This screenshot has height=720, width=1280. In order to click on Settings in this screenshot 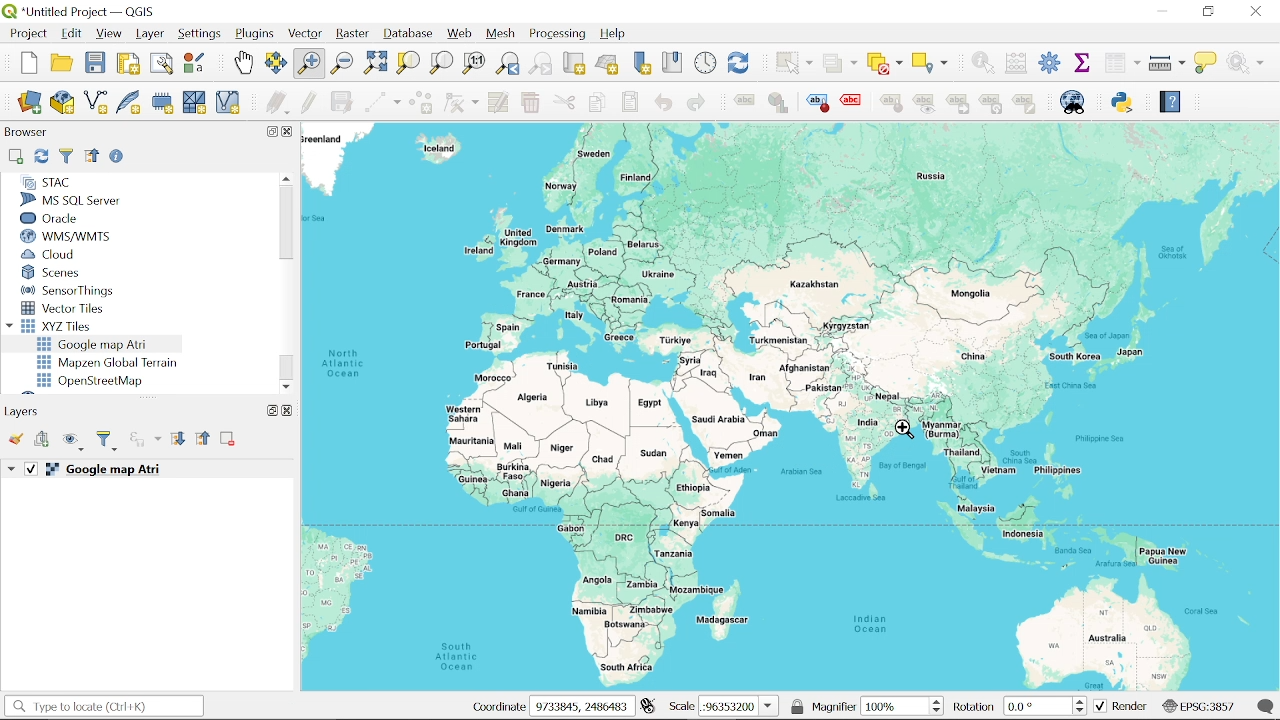, I will do `click(1050, 64)`.